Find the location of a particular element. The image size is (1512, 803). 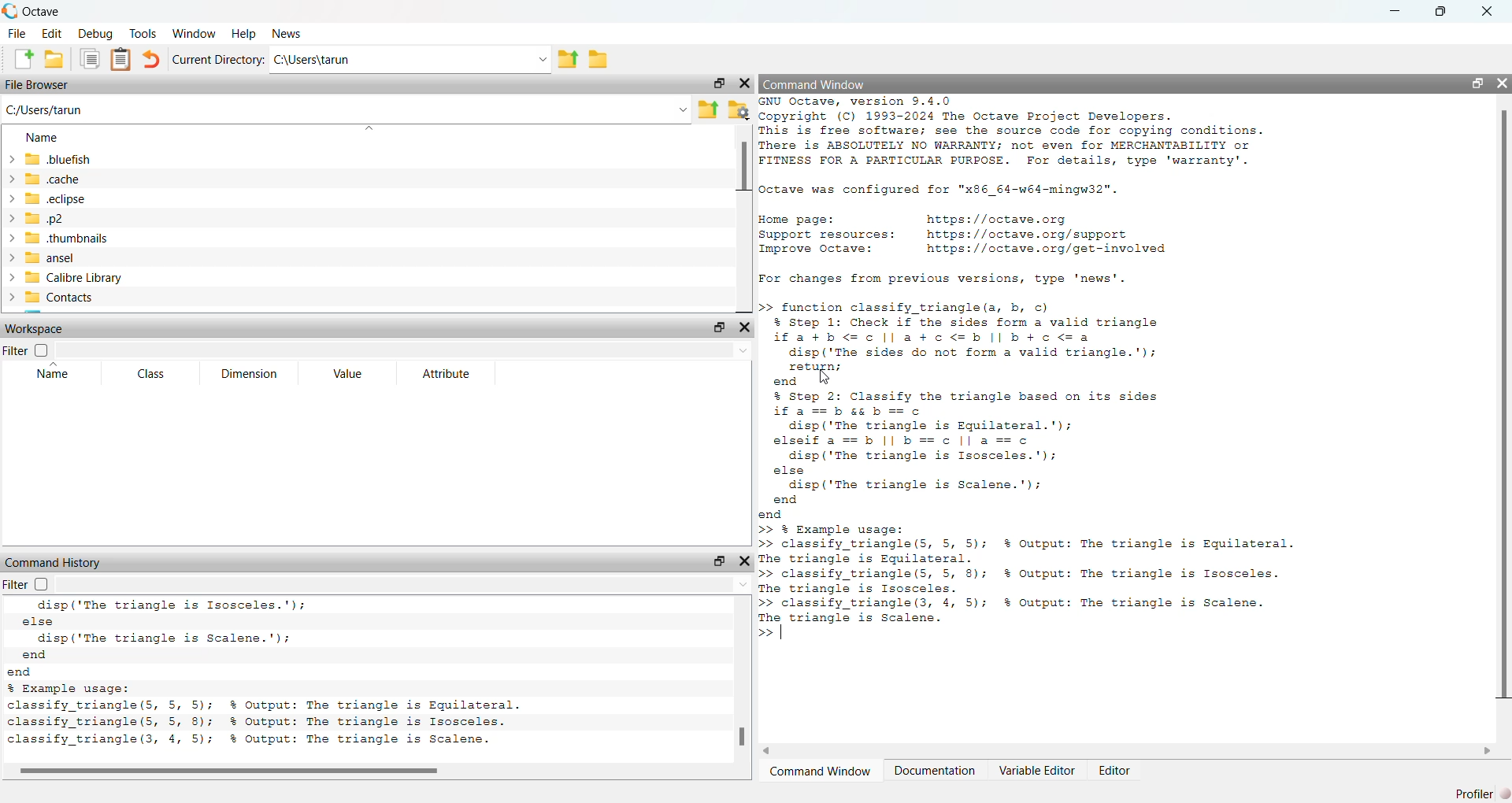

scrollbar is located at coordinates (1502, 406).